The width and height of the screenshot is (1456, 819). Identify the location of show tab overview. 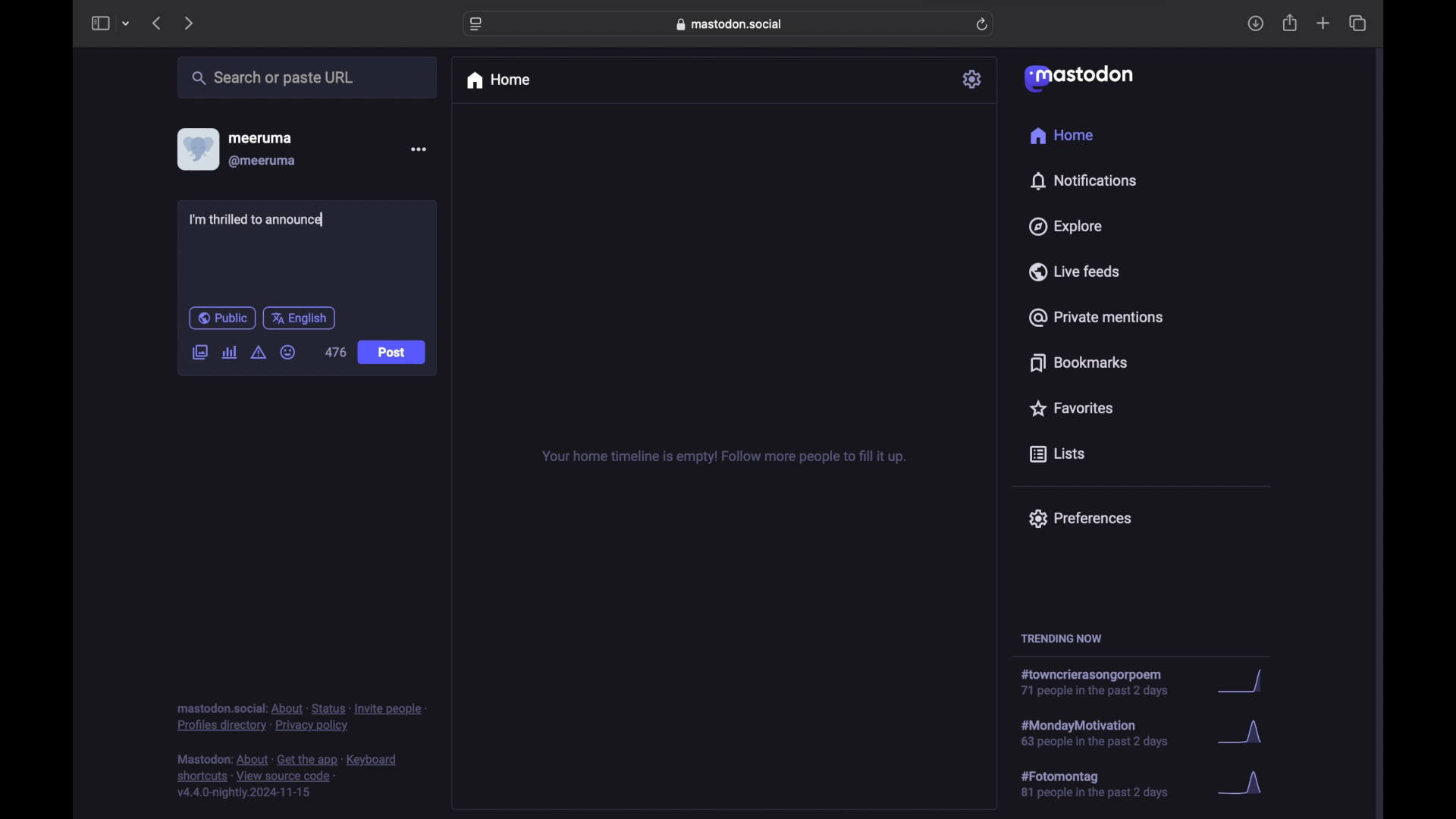
(1359, 23).